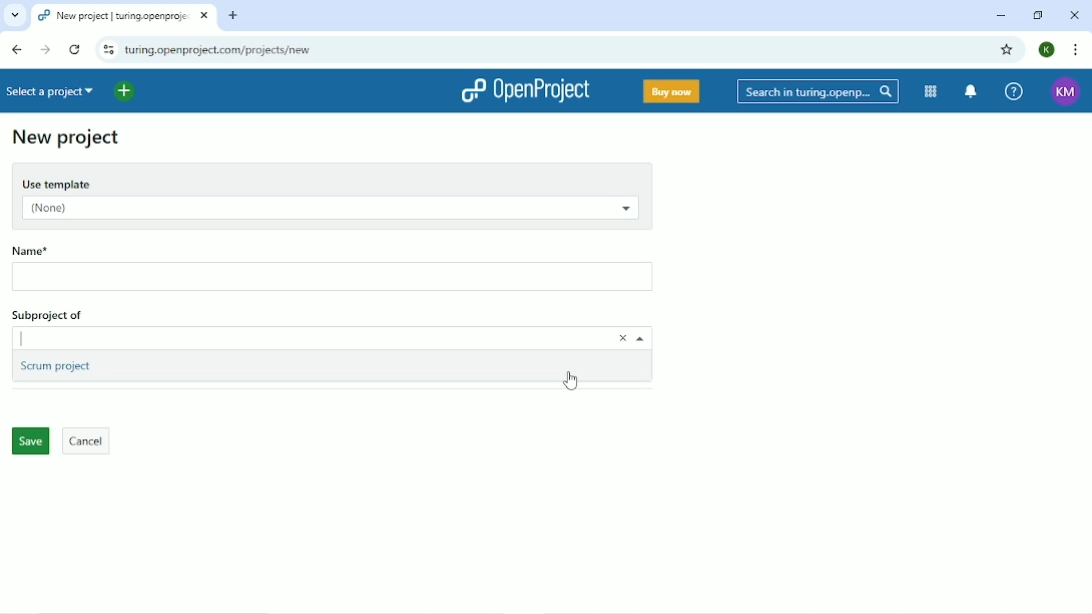  I want to click on Open quick add menu, so click(126, 92).